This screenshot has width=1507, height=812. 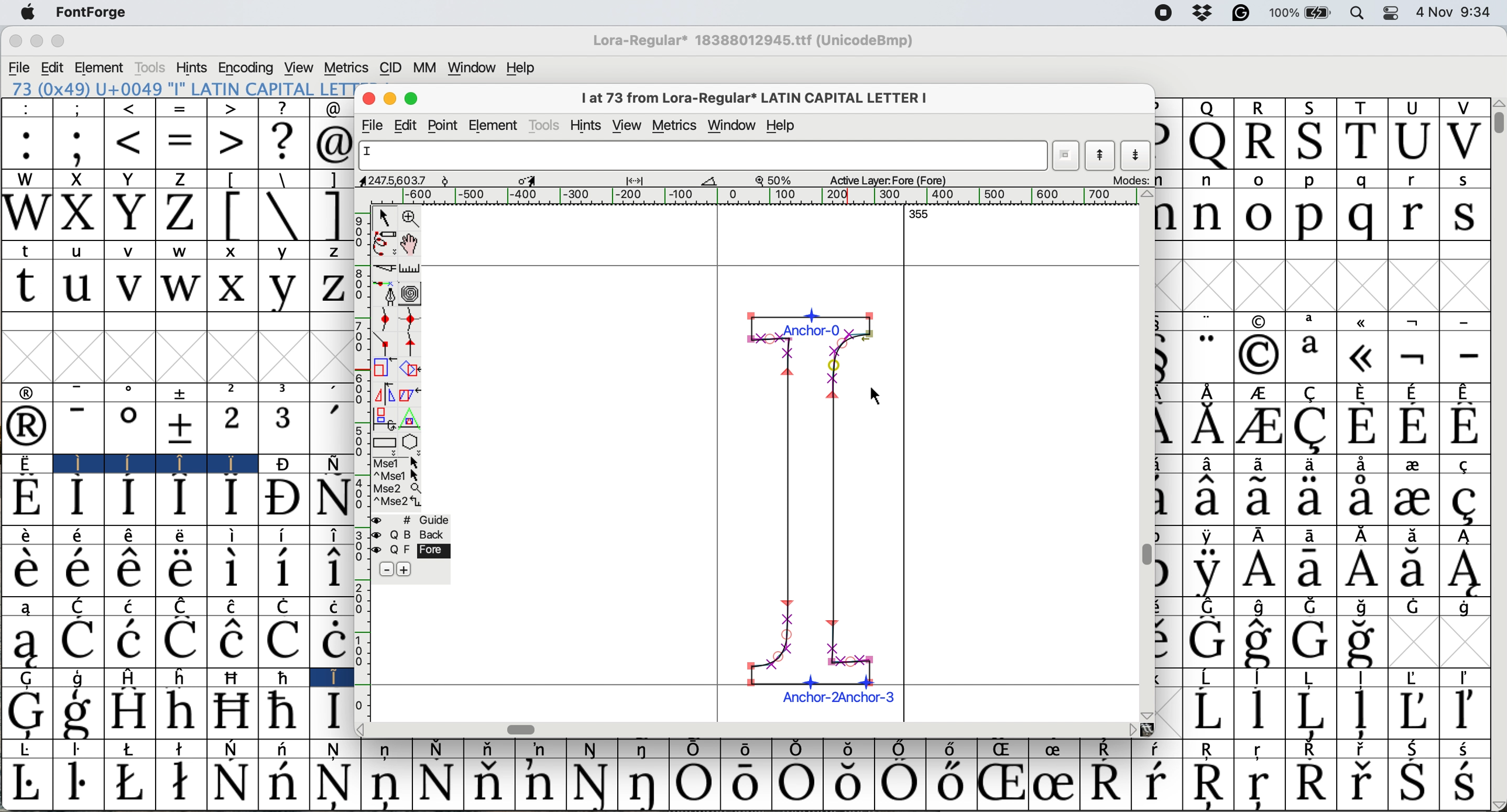 I want to click on horizontal scale, so click(x=756, y=196).